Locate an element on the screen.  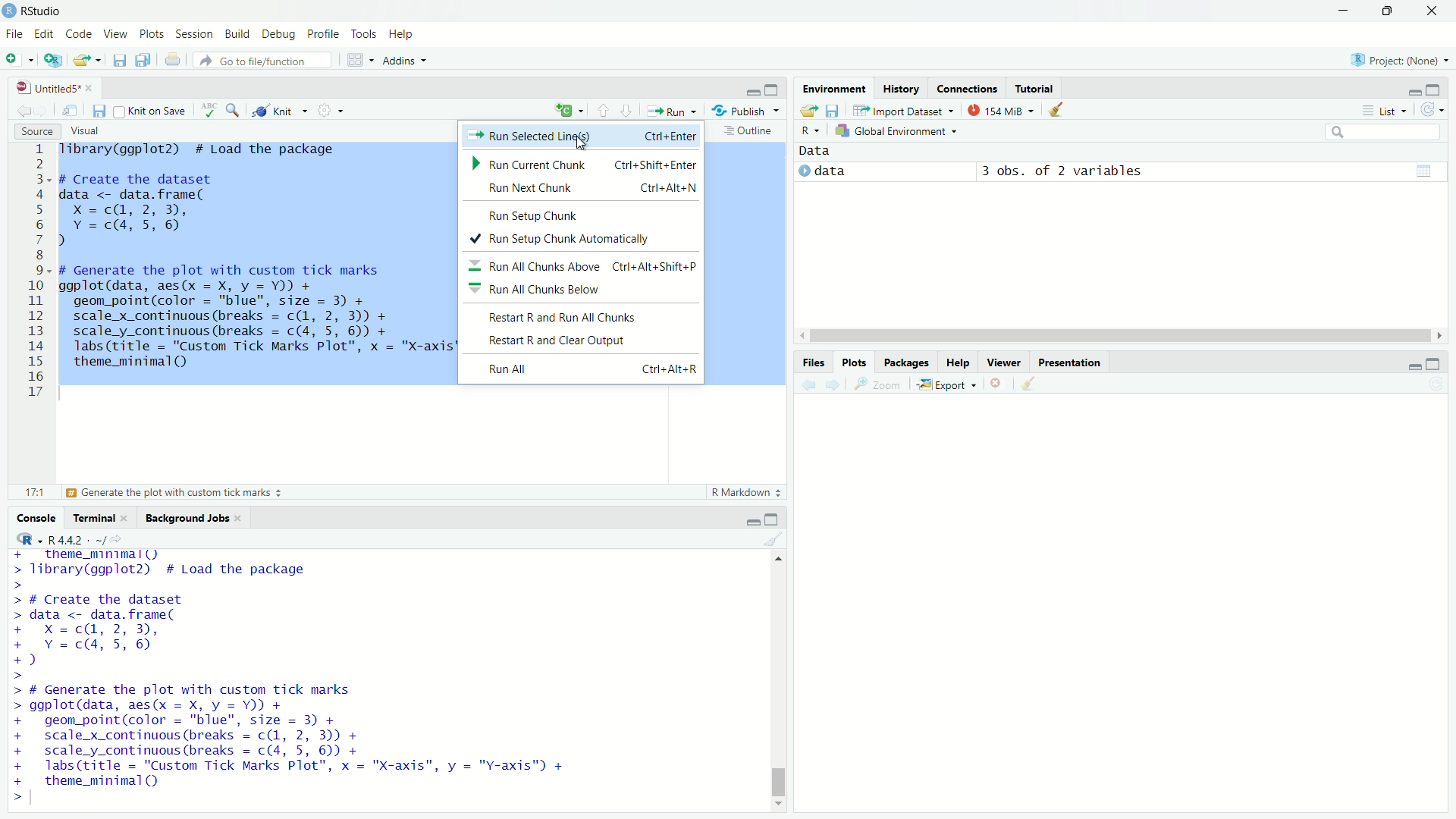
move left is located at coordinates (801, 335).